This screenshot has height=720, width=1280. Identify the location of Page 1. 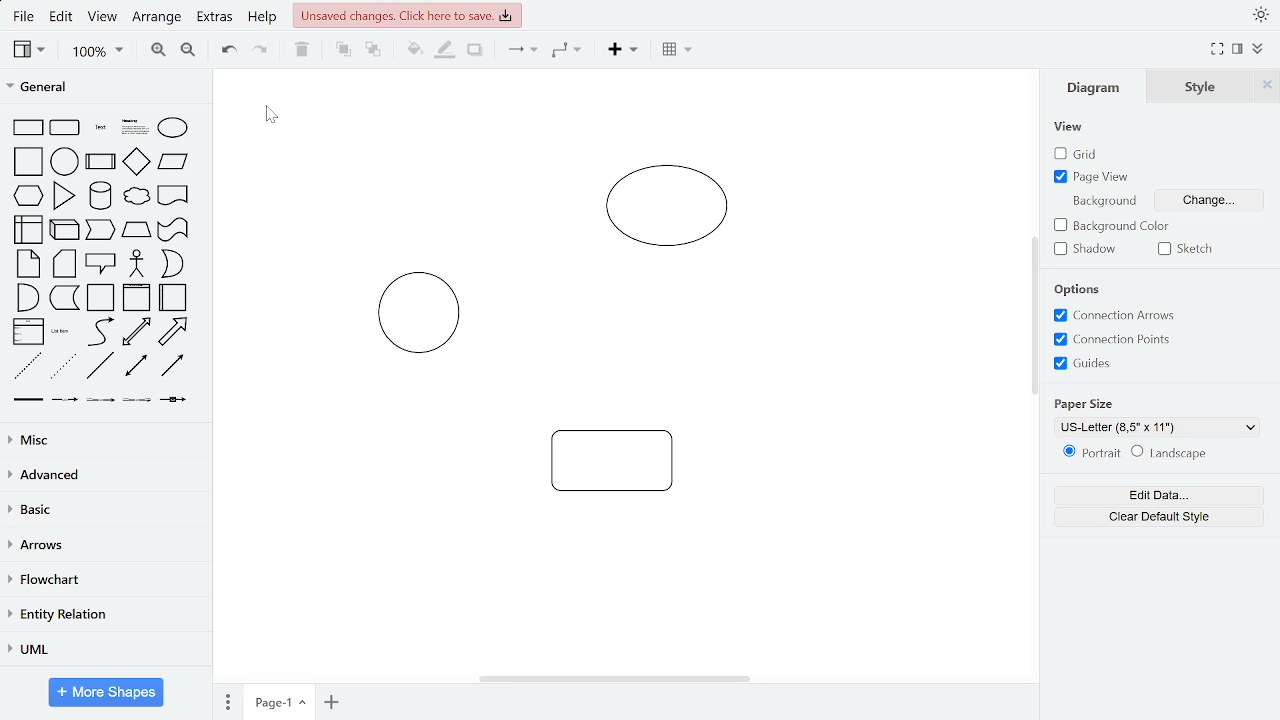
(279, 701).